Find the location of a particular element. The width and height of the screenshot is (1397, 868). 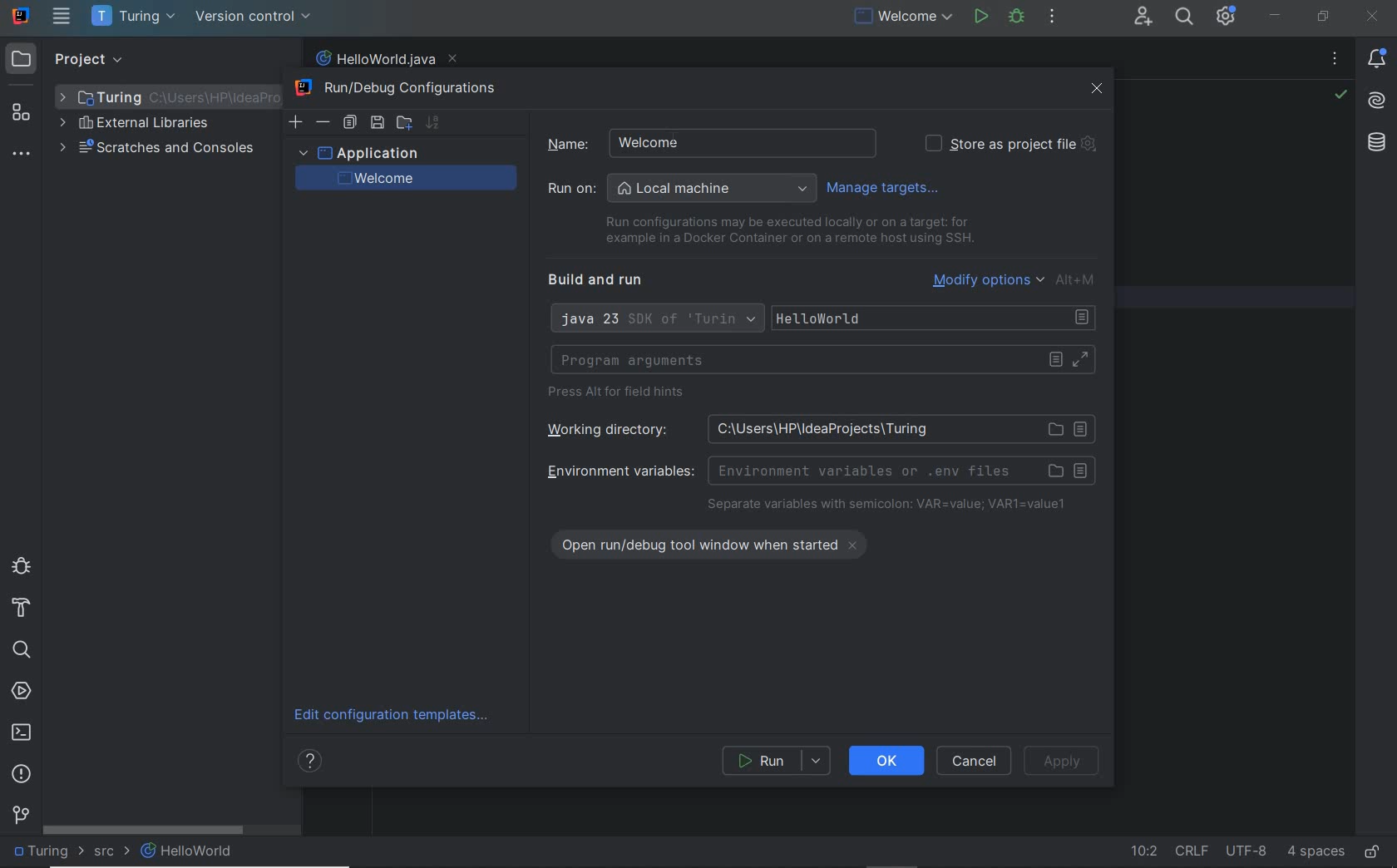

java 23 is located at coordinates (655, 320).